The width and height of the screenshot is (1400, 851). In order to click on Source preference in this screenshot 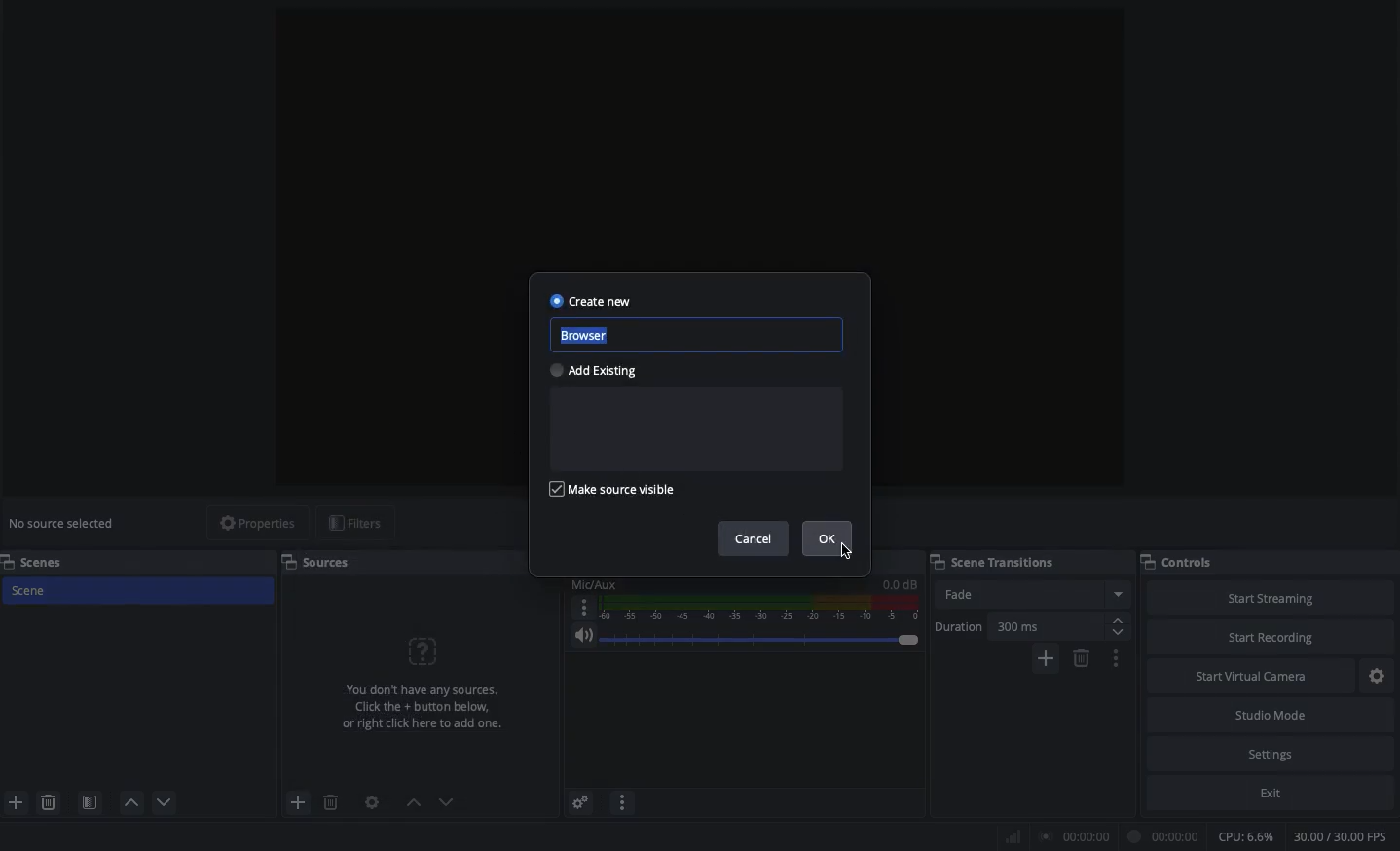, I will do `click(373, 801)`.